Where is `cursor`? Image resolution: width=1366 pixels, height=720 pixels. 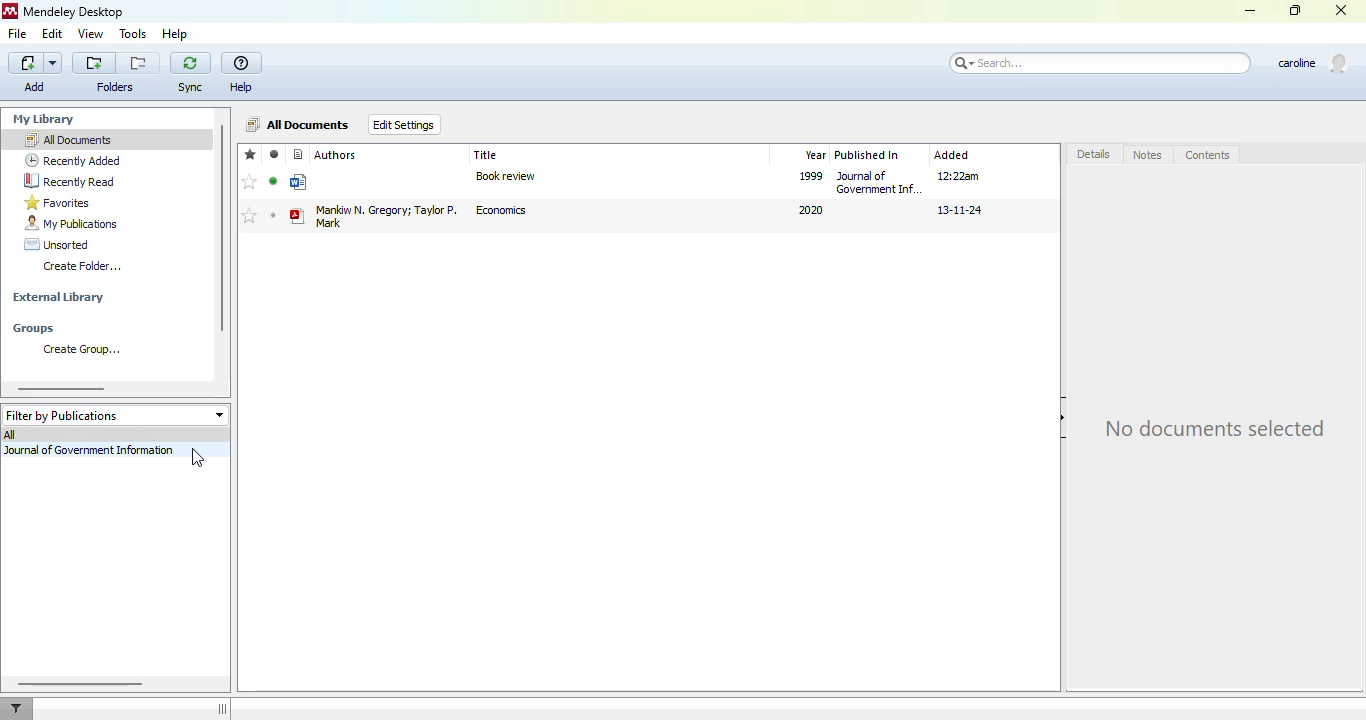 cursor is located at coordinates (197, 457).